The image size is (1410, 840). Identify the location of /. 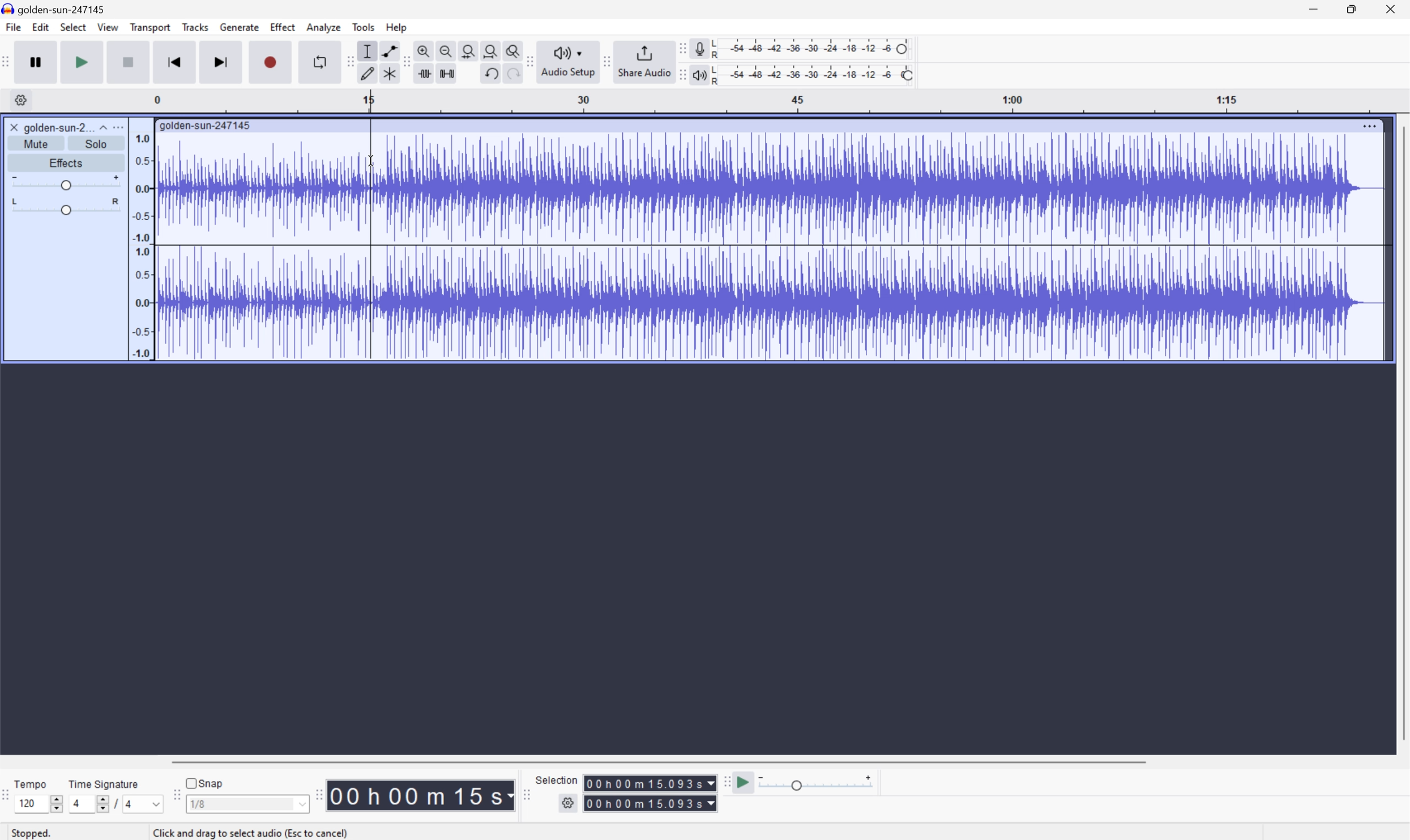
(114, 803).